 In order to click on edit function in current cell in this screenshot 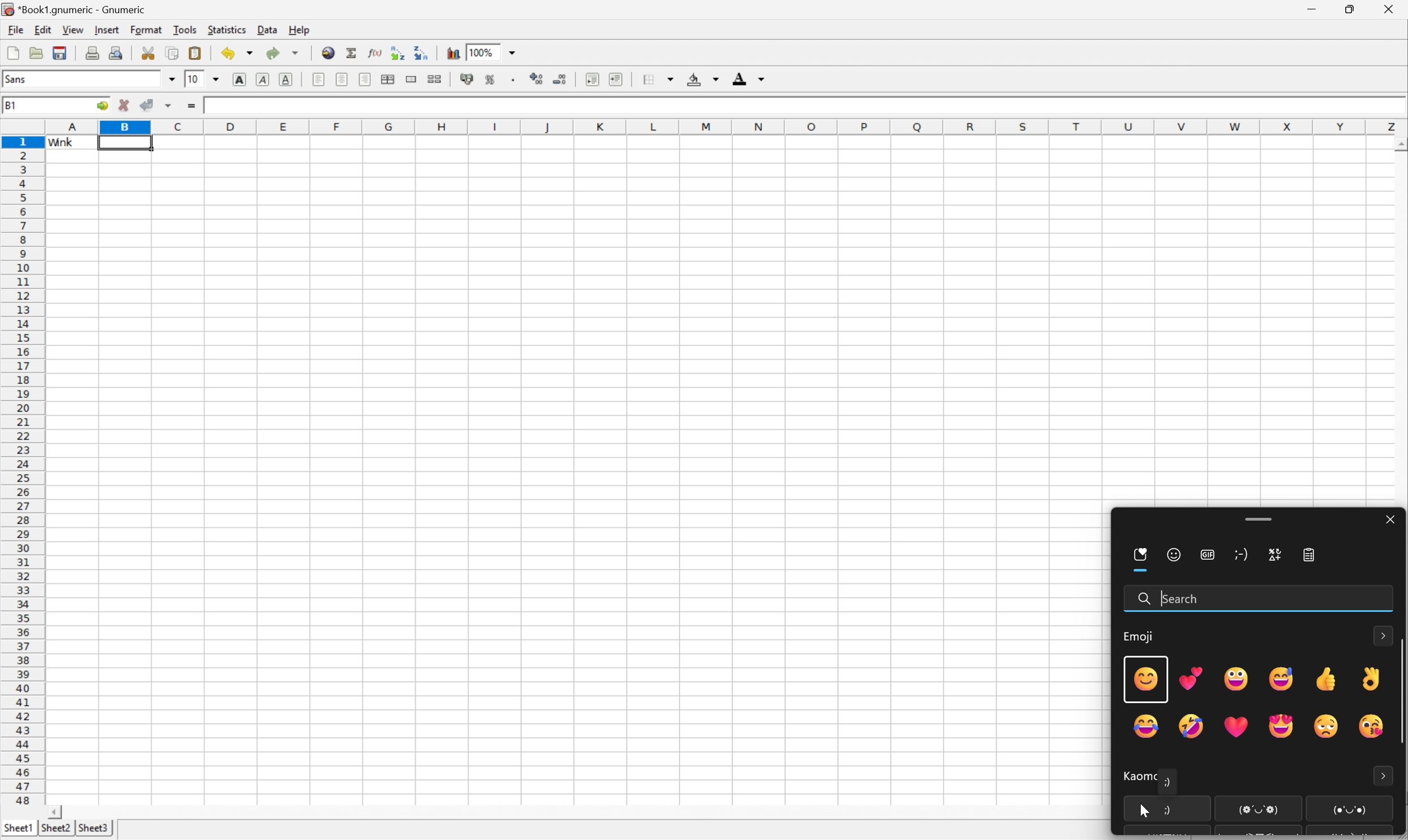, I will do `click(375, 52)`.